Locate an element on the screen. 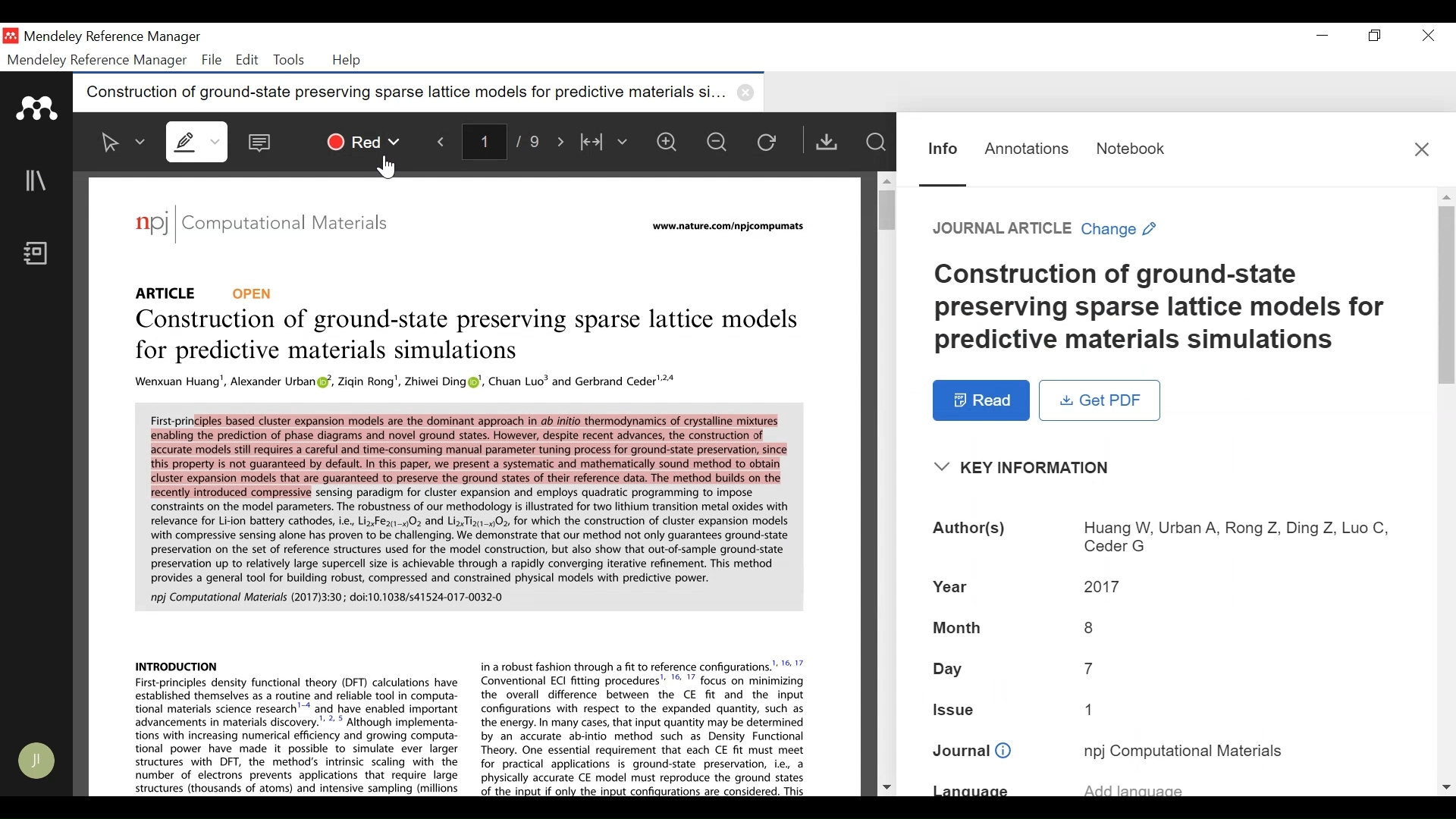 The image size is (1456, 819). Zoom in is located at coordinates (666, 141).